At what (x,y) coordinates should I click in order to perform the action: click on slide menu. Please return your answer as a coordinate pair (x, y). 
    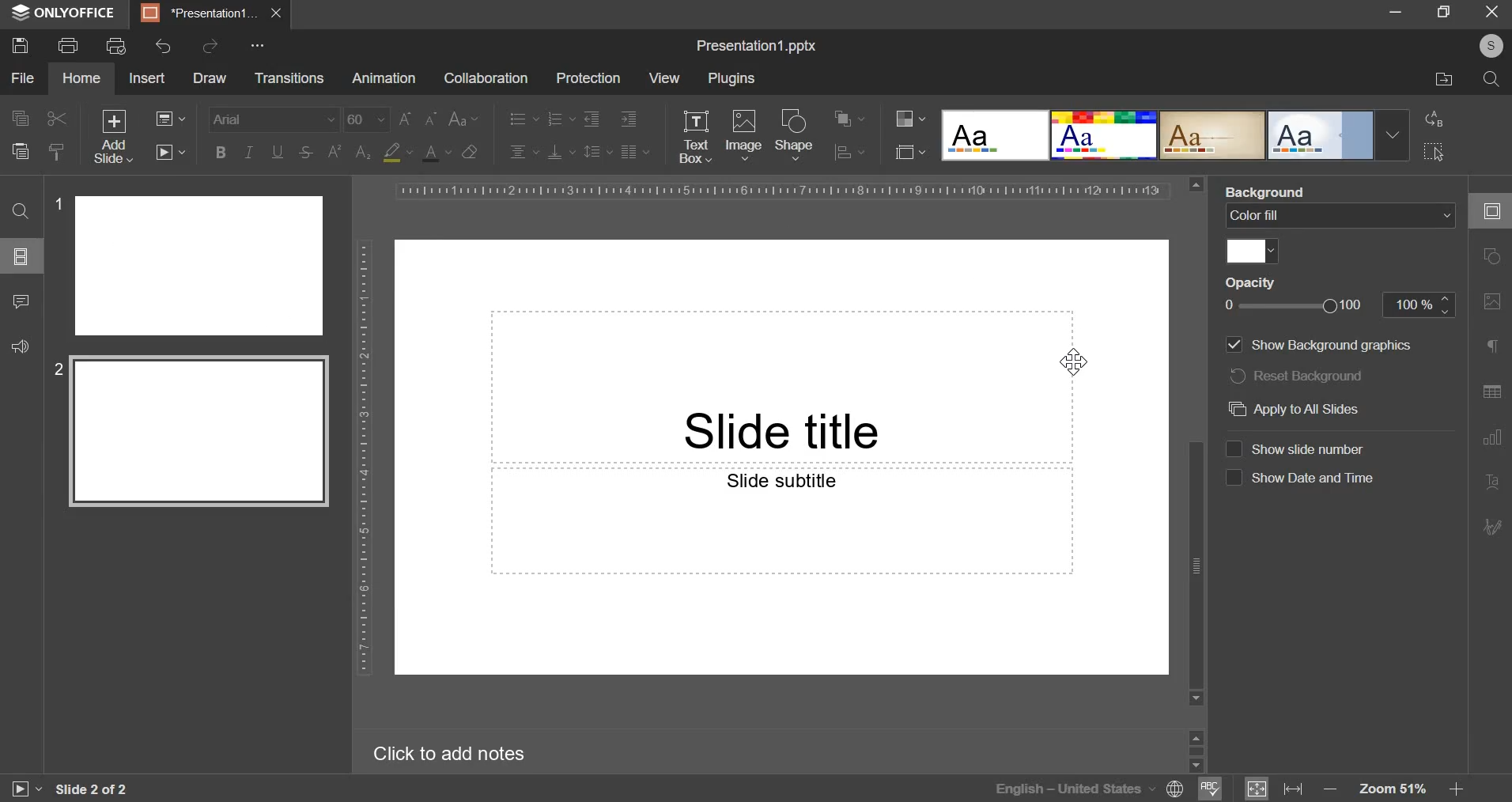
    Looking at the image, I should click on (19, 255).